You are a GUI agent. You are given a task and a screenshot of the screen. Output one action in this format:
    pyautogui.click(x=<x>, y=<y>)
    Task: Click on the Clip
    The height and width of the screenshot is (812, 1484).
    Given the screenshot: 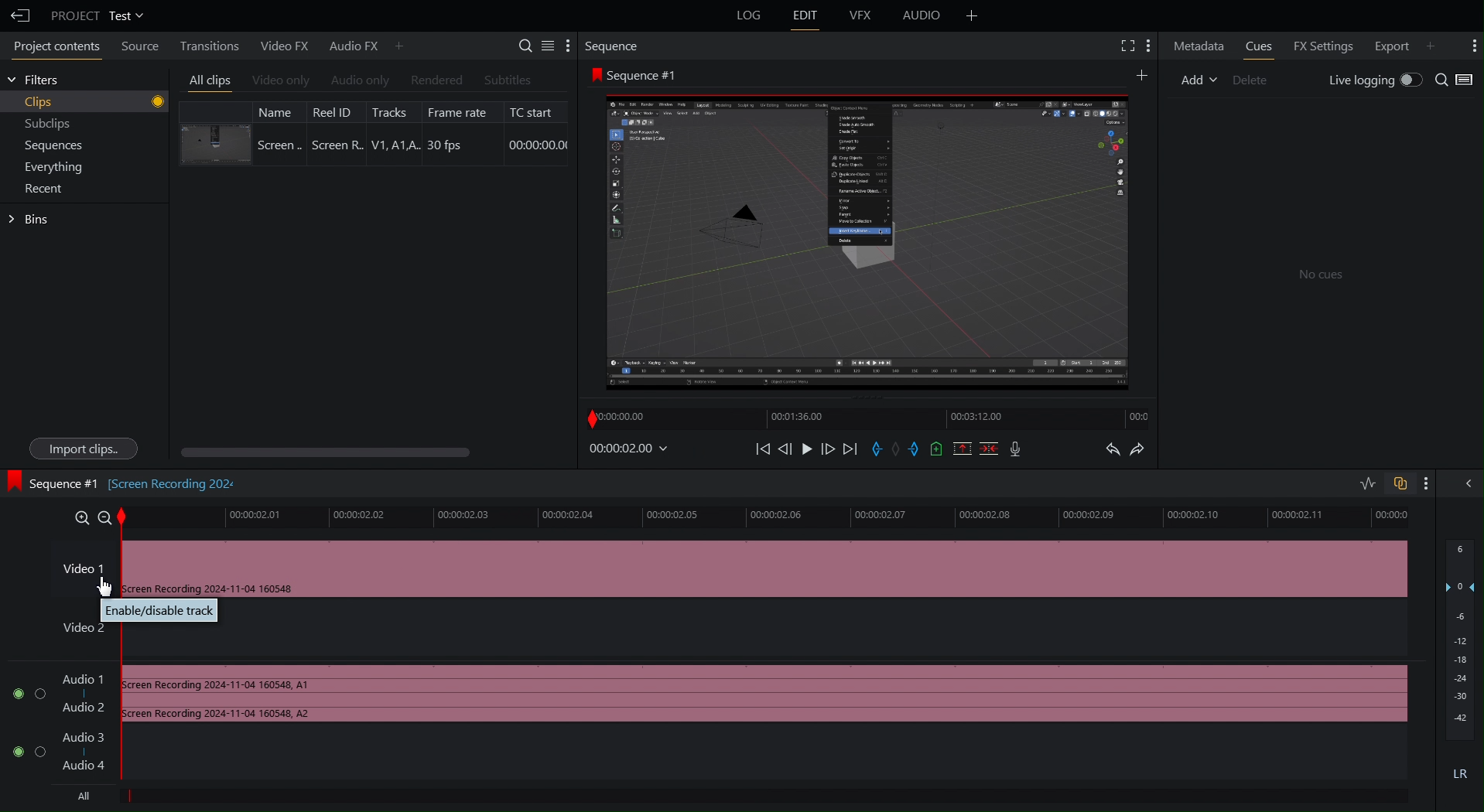 What is the action you would take?
    pyautogui.click(x=373, y=132)
    